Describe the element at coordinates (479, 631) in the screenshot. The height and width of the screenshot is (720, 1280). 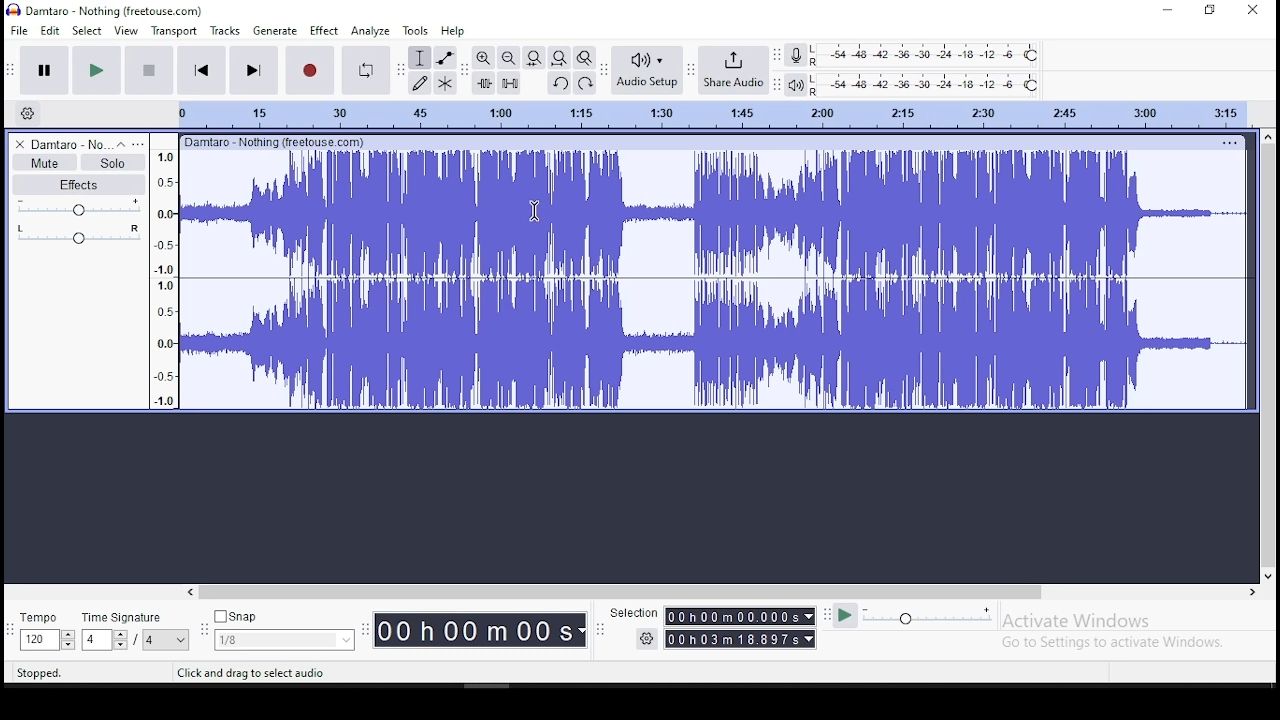
I see `00 h 00 m 00 s` at that location.